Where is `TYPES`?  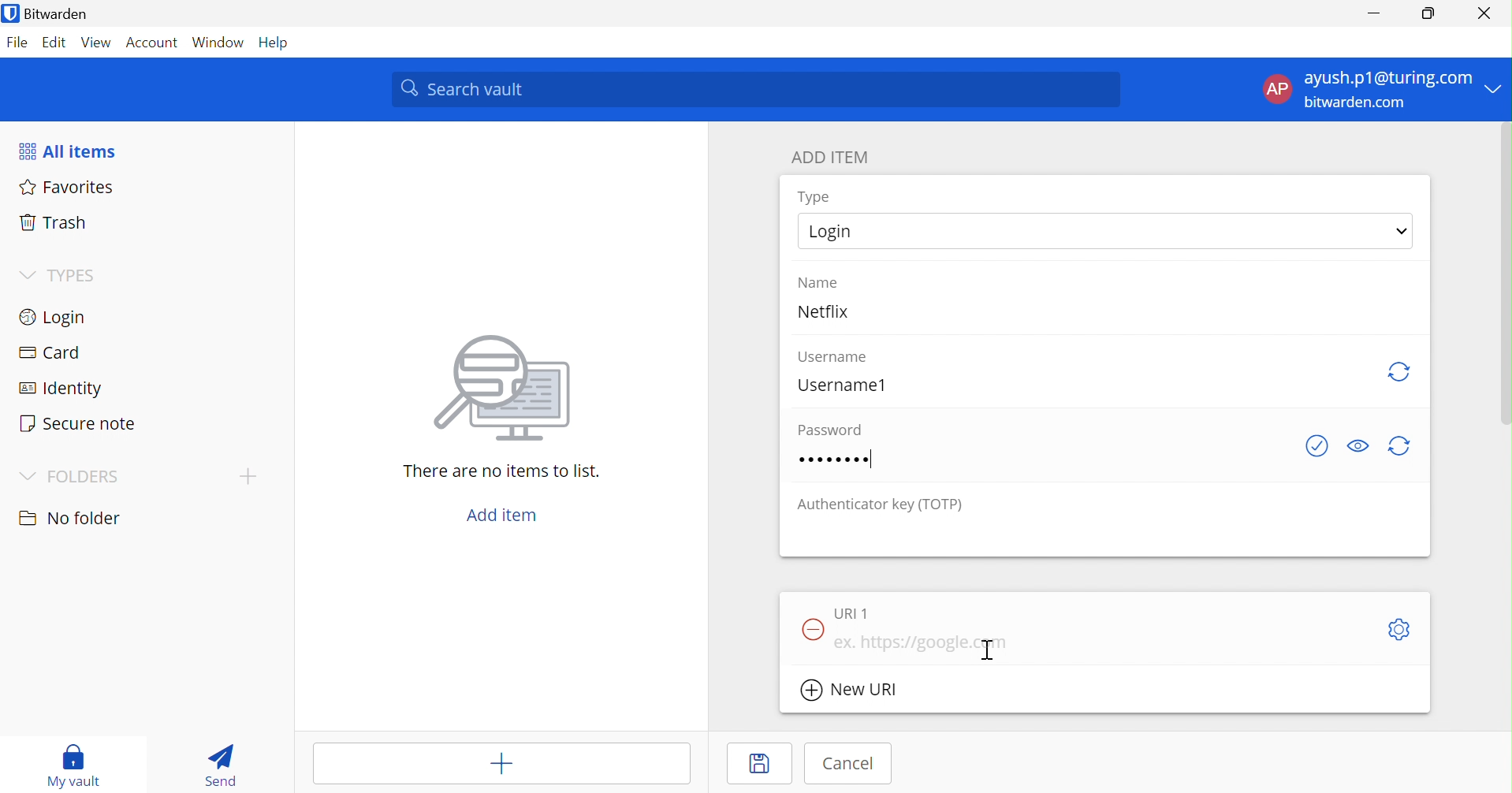
TYPES is located at coordinates (60, 275).